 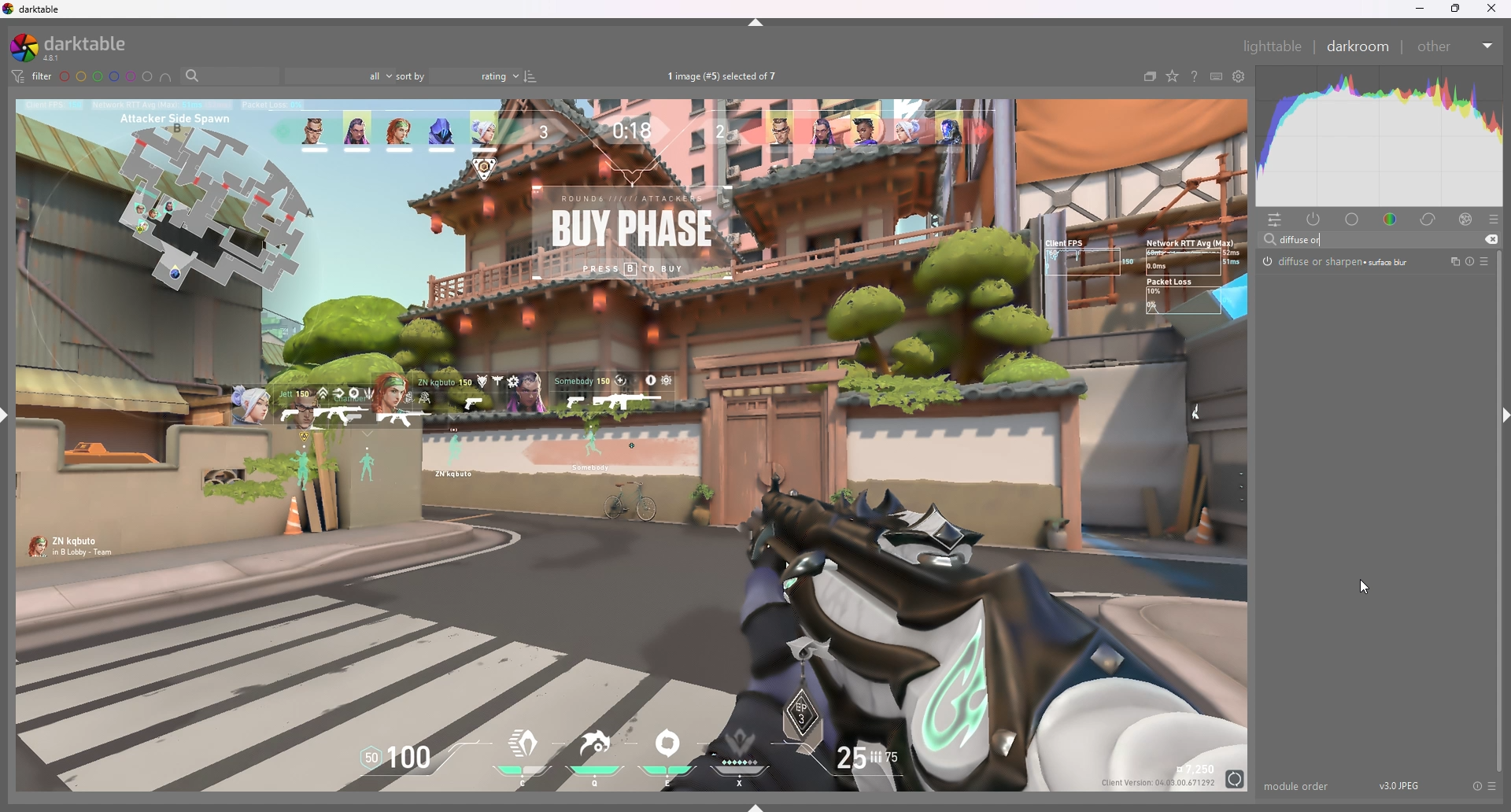 What do you see at coordinates (1429, 219) in the screenshot?
I see `correct` at bounding box center [1429, 219].